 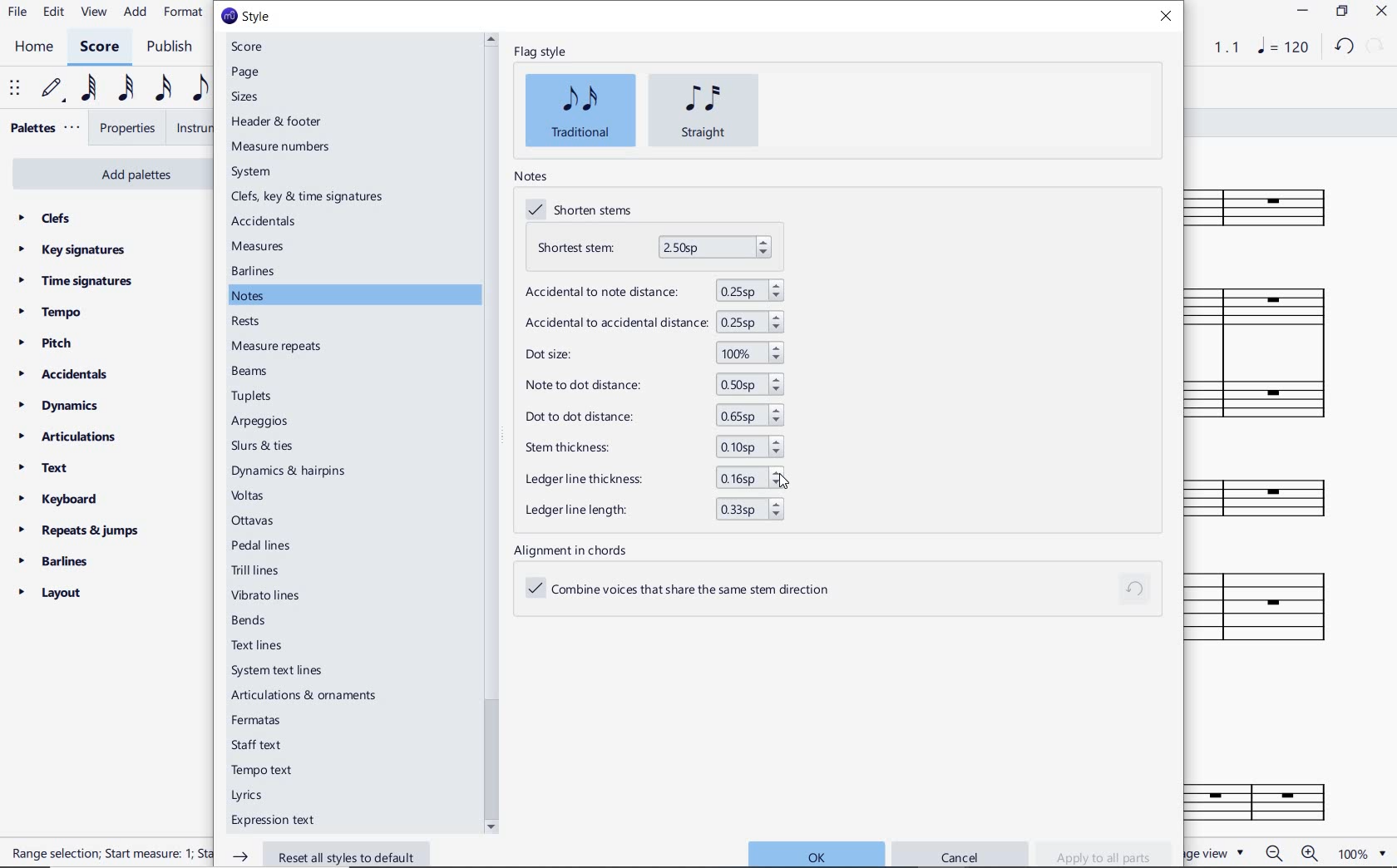 What do you see at coordinates (249, 96) in the screenshot?
I see `sizes` at bounding box center [249, 96].